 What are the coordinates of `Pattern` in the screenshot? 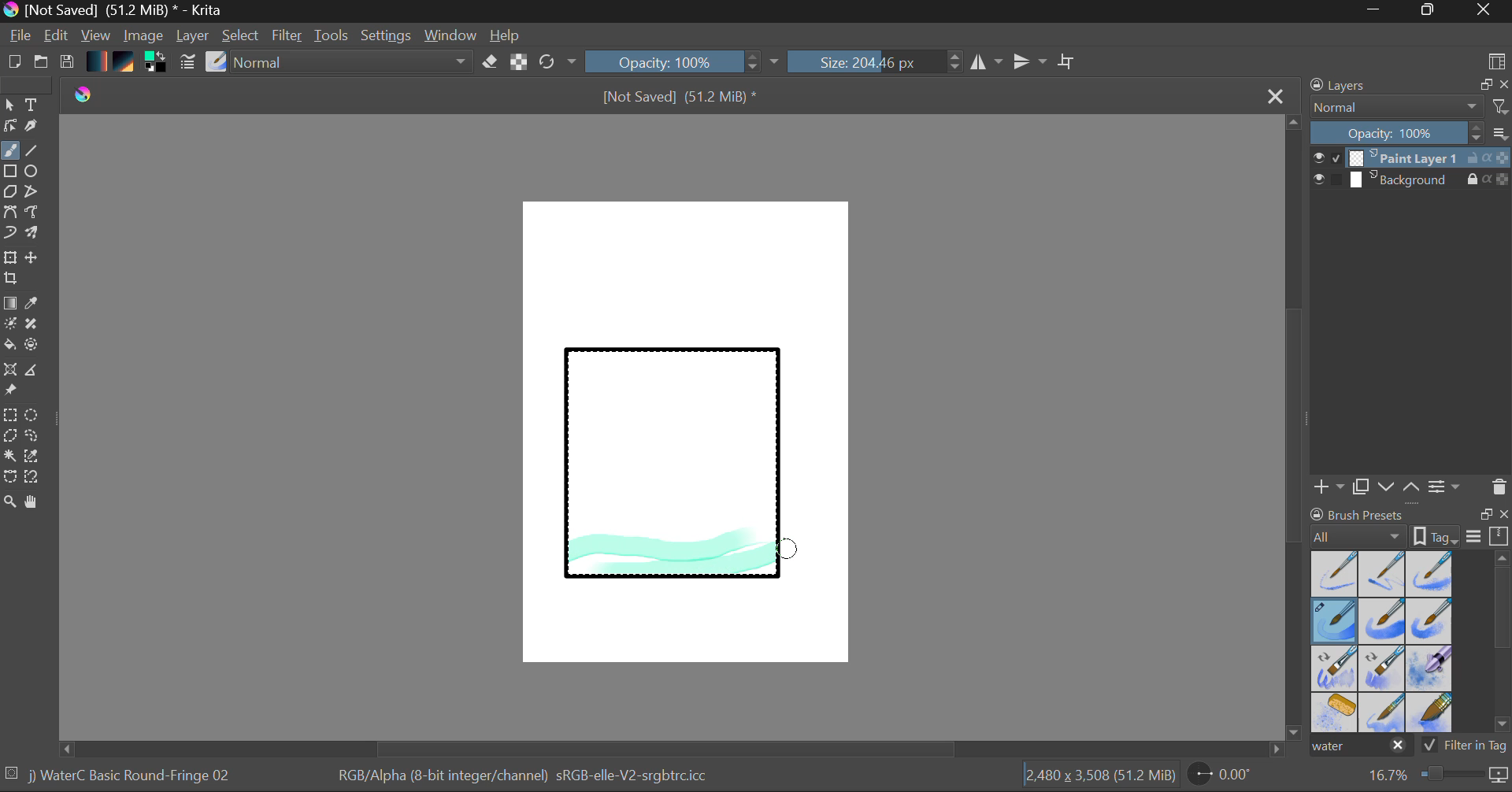 It's located at (126, 63).